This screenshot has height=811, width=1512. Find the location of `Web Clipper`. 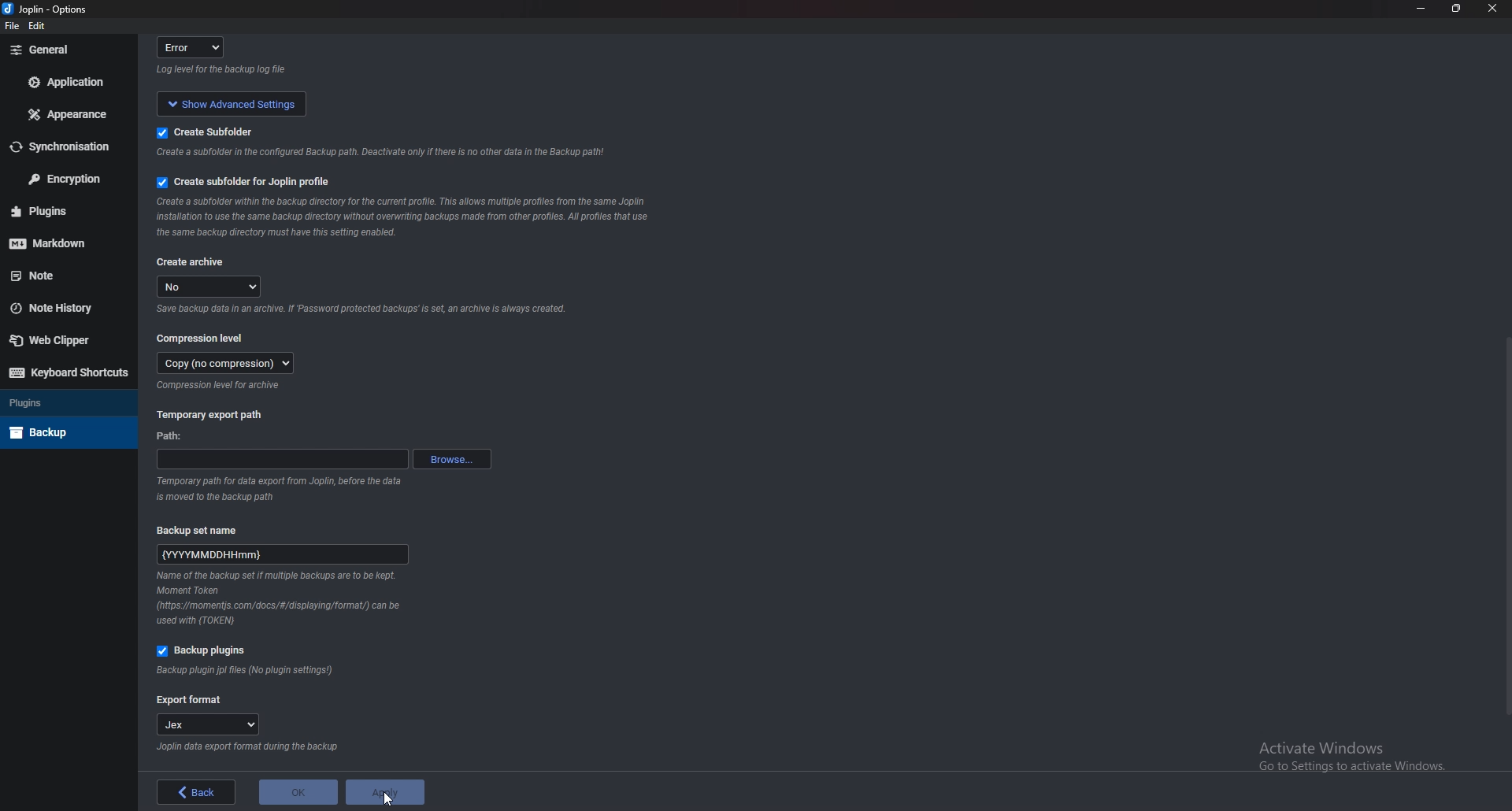

Web Clipper is located at coordinates (61, 339).